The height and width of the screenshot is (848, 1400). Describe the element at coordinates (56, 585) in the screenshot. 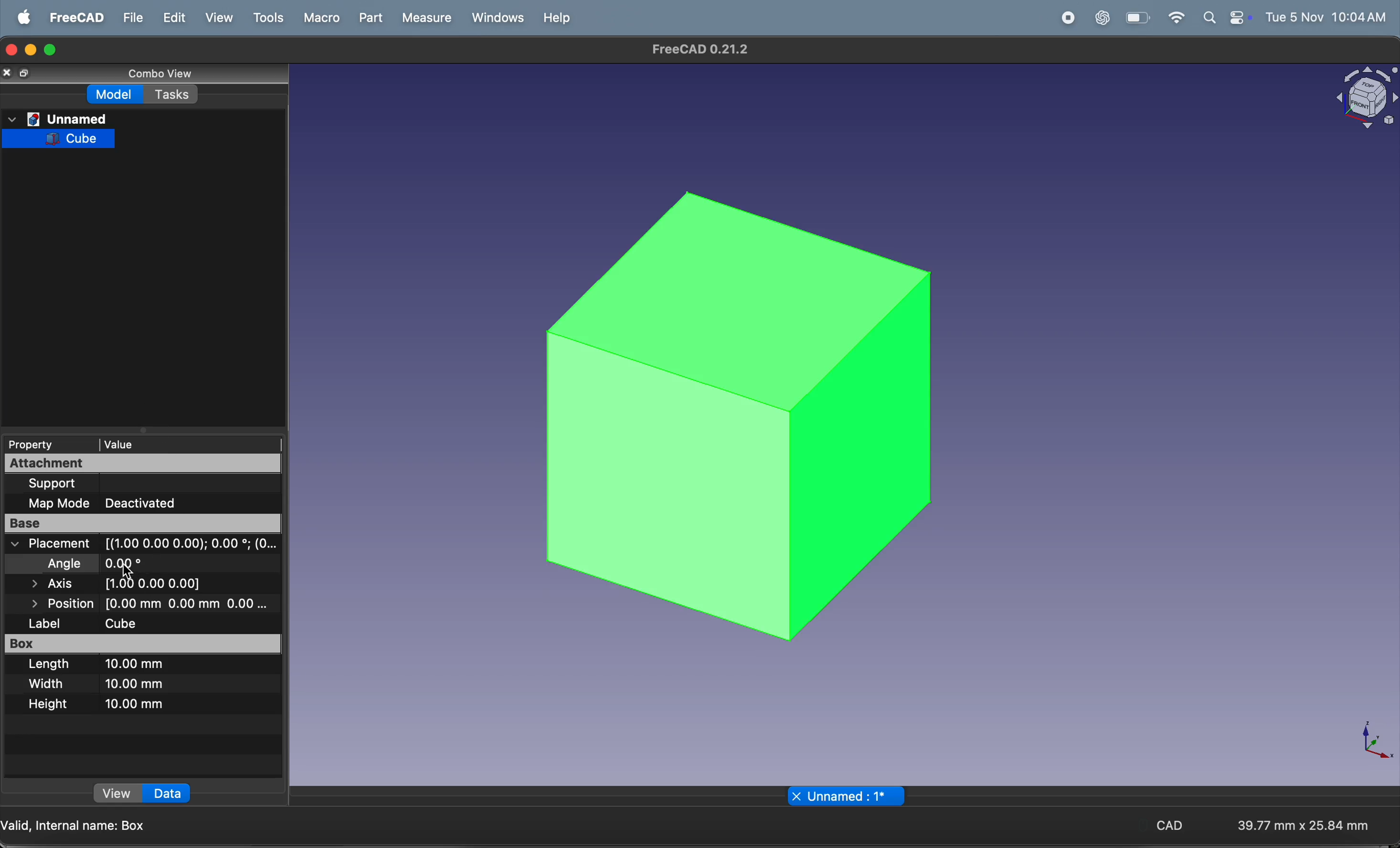

I see `axis` at that location.